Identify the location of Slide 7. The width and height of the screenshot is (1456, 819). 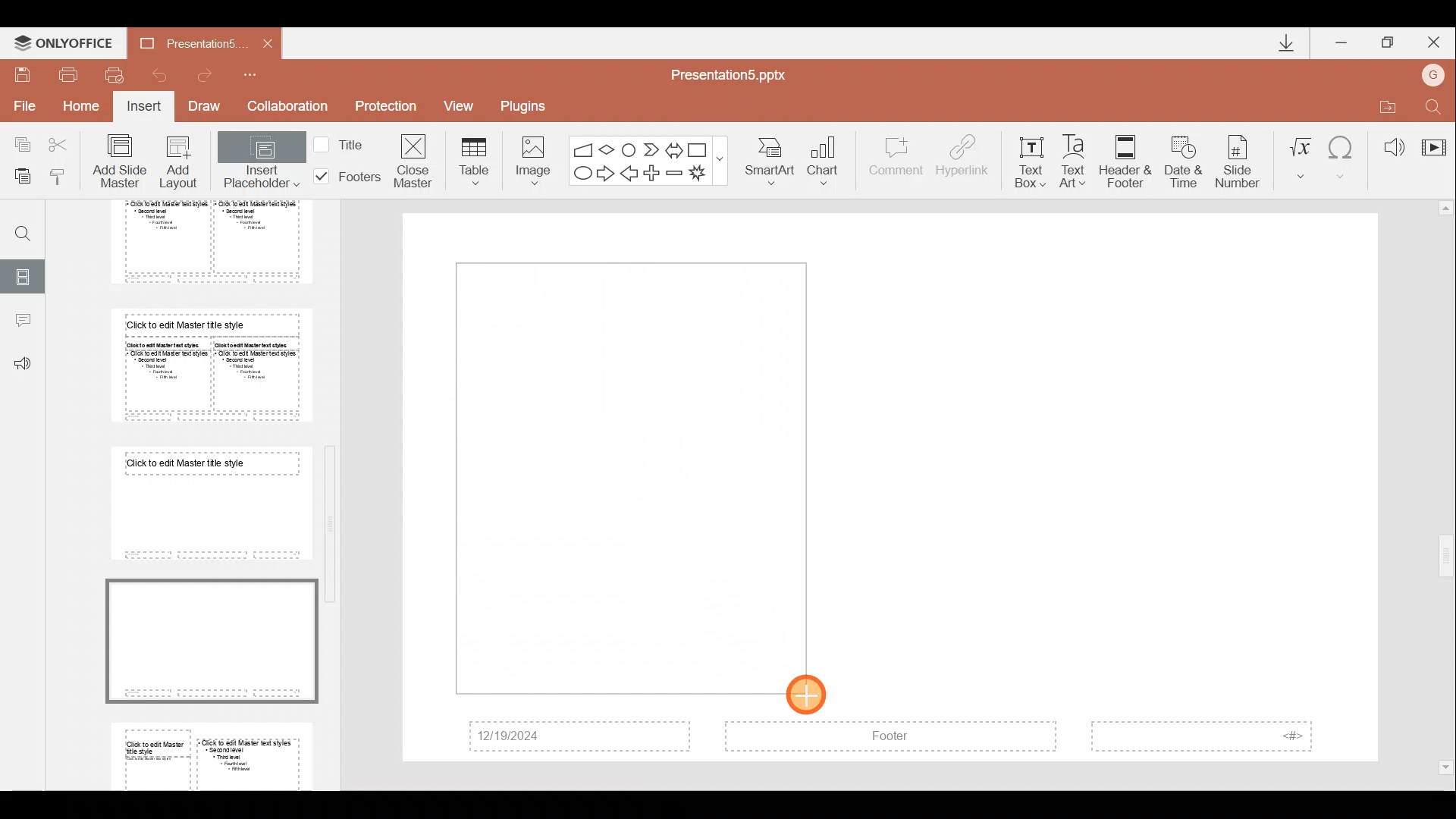
(206, 503).